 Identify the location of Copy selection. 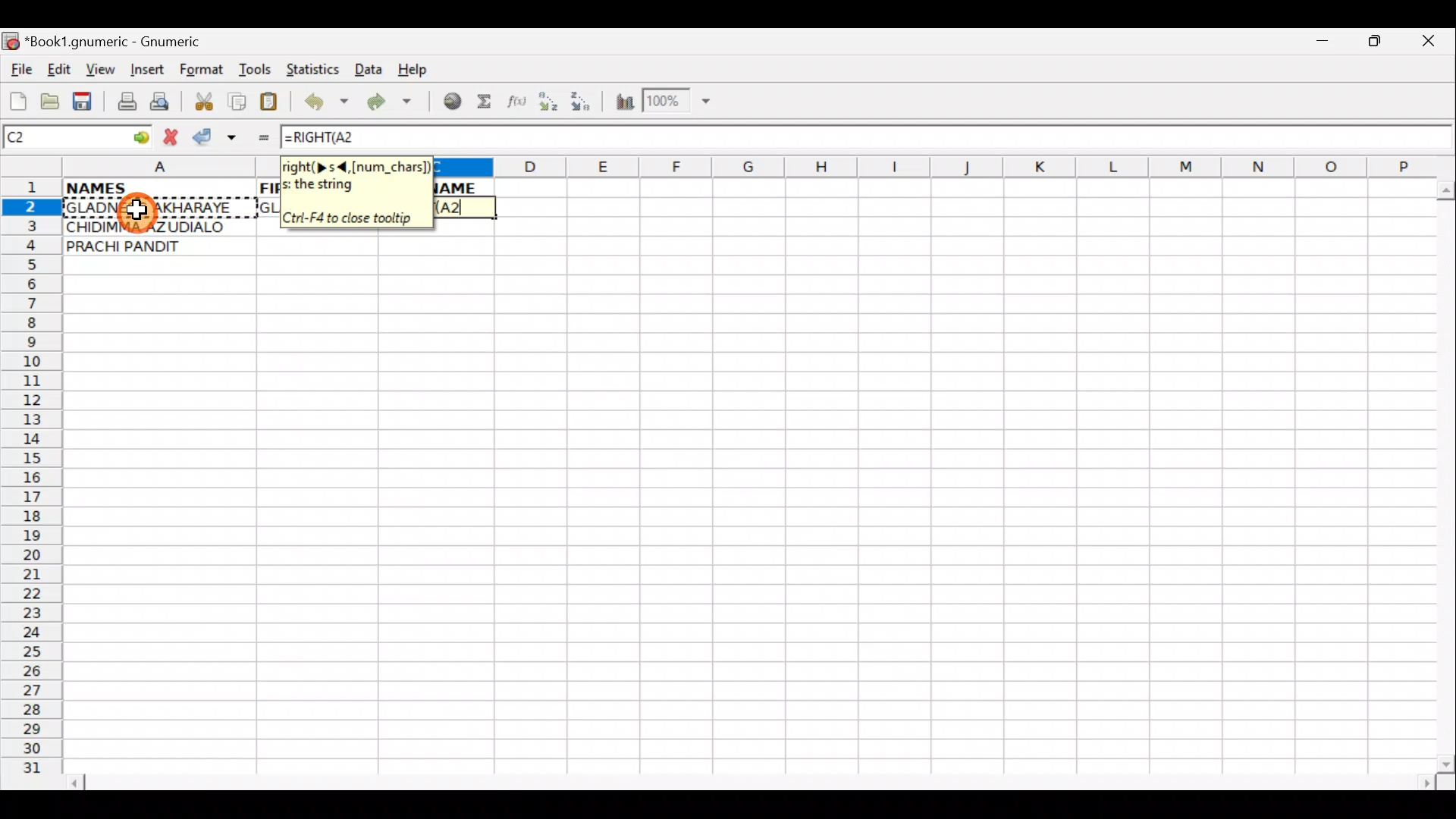
(238, 101).